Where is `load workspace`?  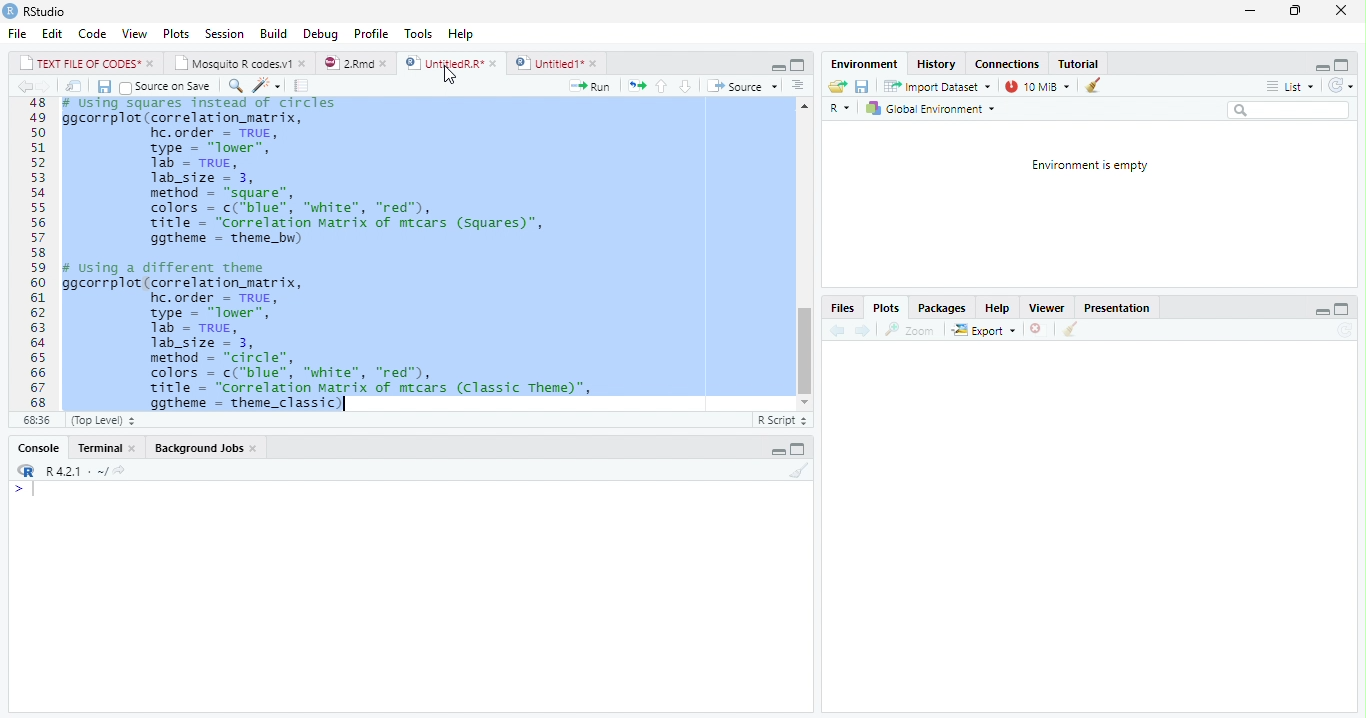 load workspace is located at coordinates (836, 86).